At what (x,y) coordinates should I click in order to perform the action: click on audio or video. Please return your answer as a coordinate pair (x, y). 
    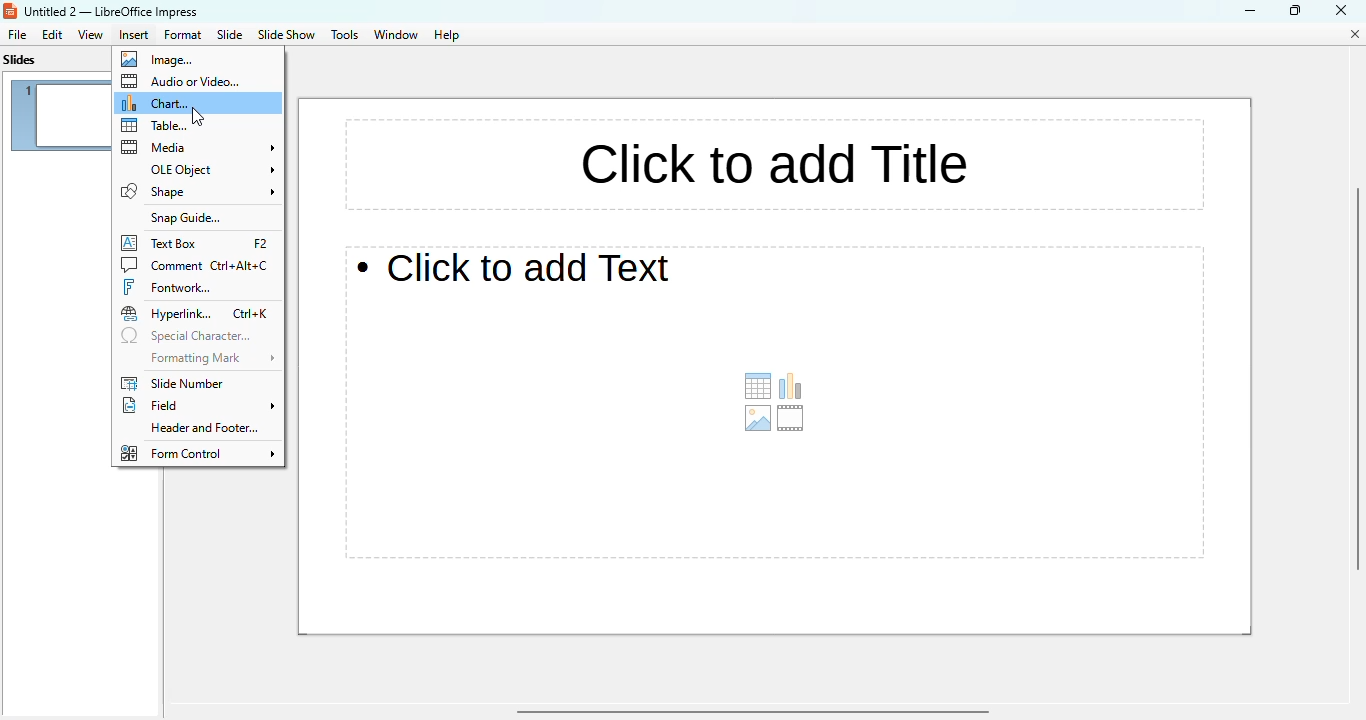
    Looking at the image, I should click on (184, 81).